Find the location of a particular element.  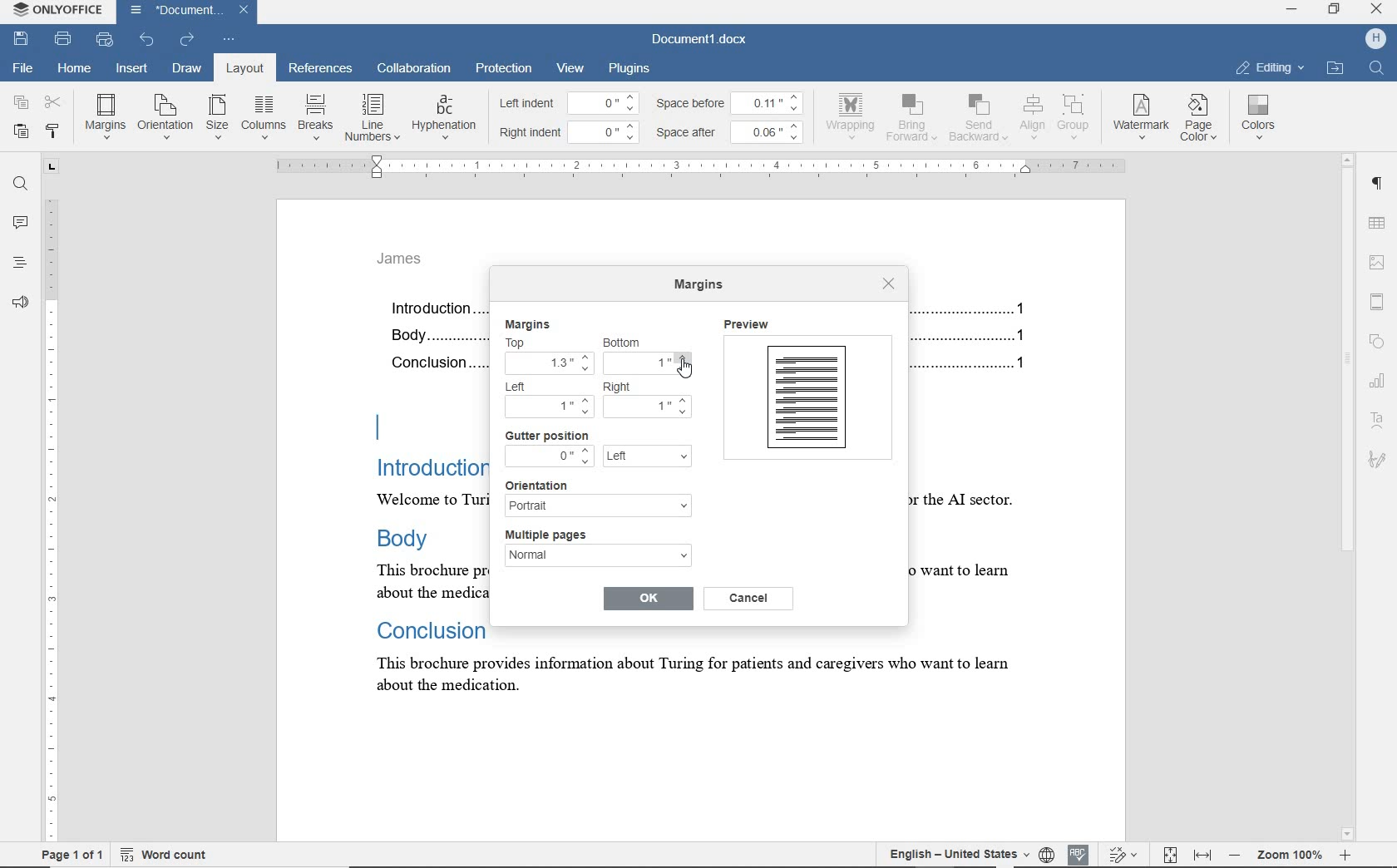

right is located at coordinates (623, 387).